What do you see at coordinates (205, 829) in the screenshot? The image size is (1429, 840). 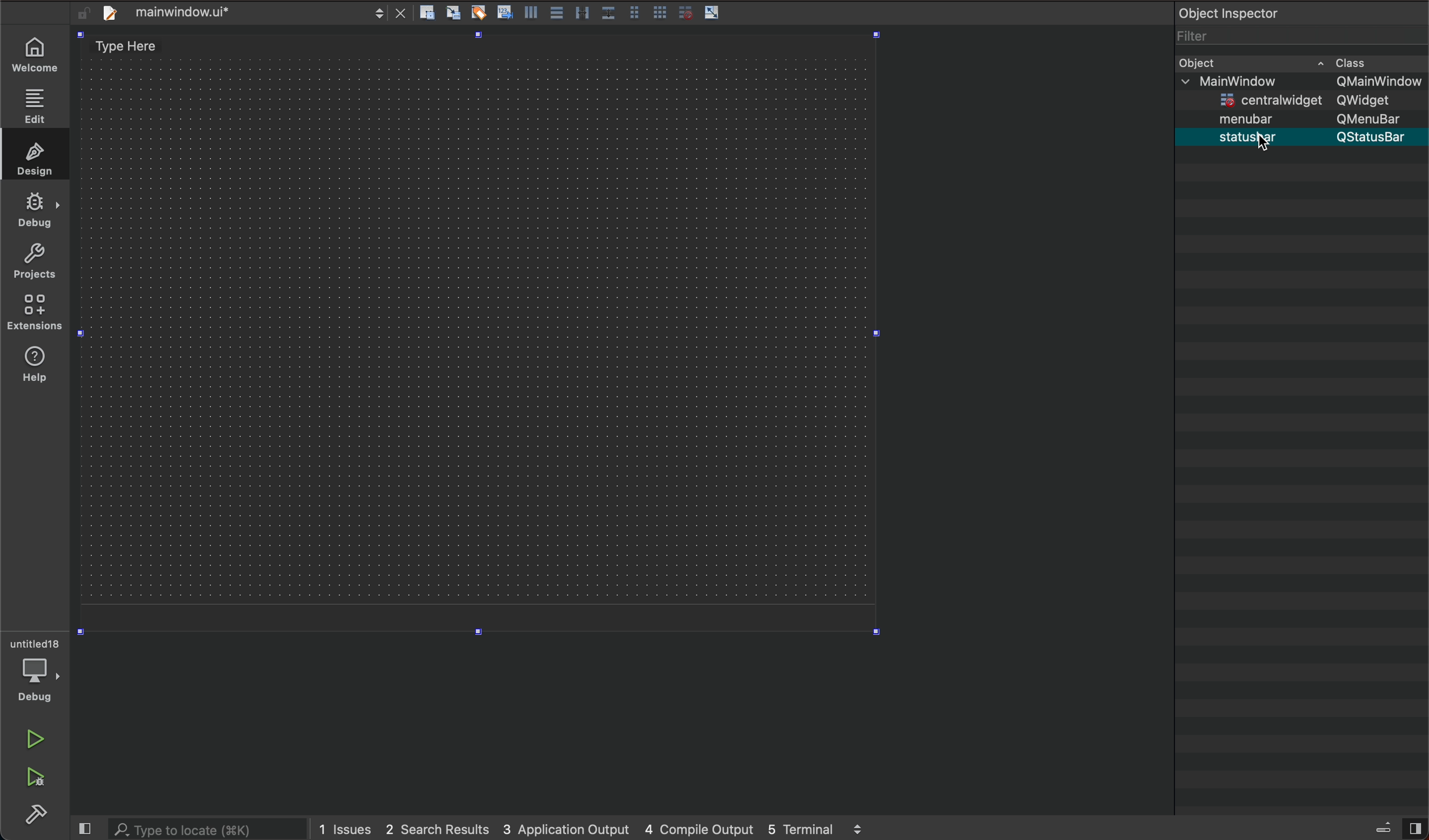 I see `search` at bounding box center [205, 829].